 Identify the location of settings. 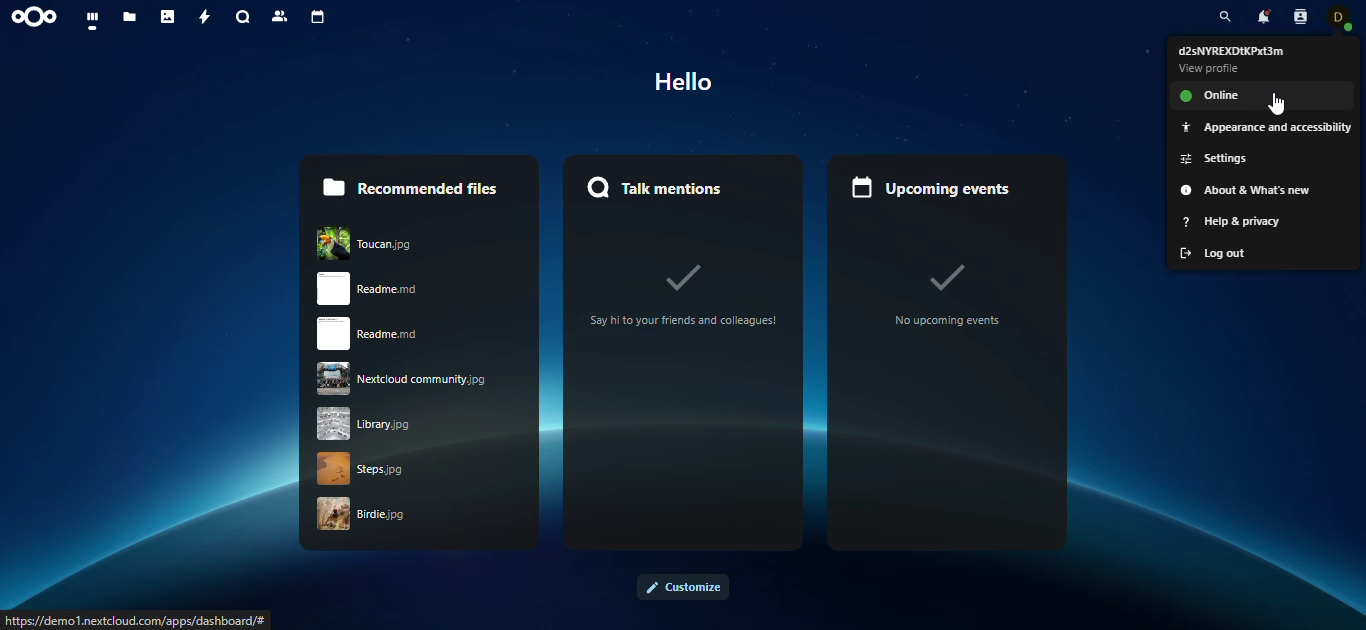
(1233, 160).